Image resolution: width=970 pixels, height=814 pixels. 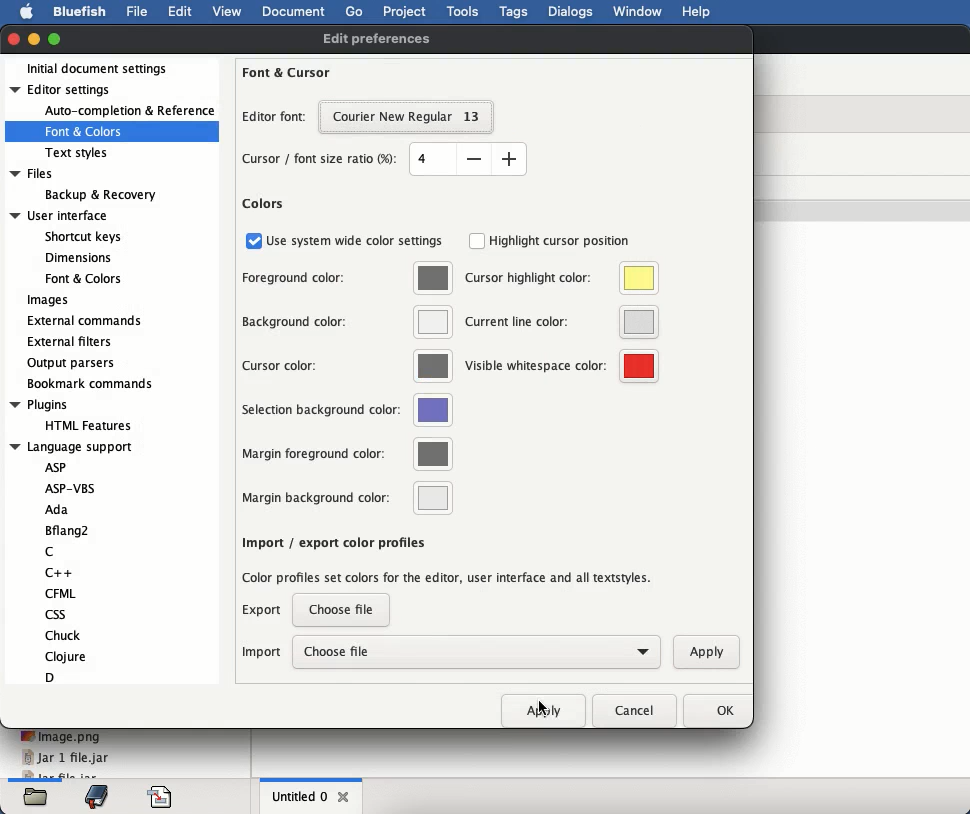 What do you see at coordinates (355, 11) in the screenshot?
I see `go` at bounding box center [355, 11].